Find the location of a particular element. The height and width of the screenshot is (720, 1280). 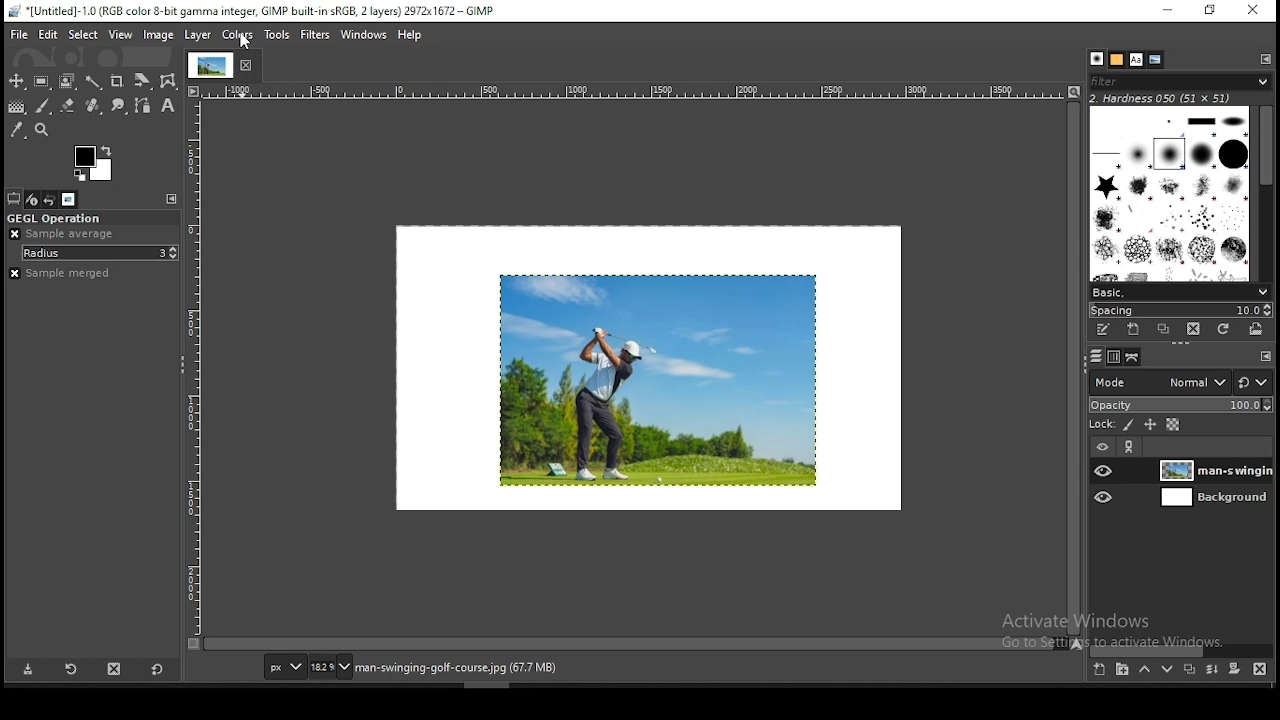

fuzzy select tool is located at coordinates (92, 82).